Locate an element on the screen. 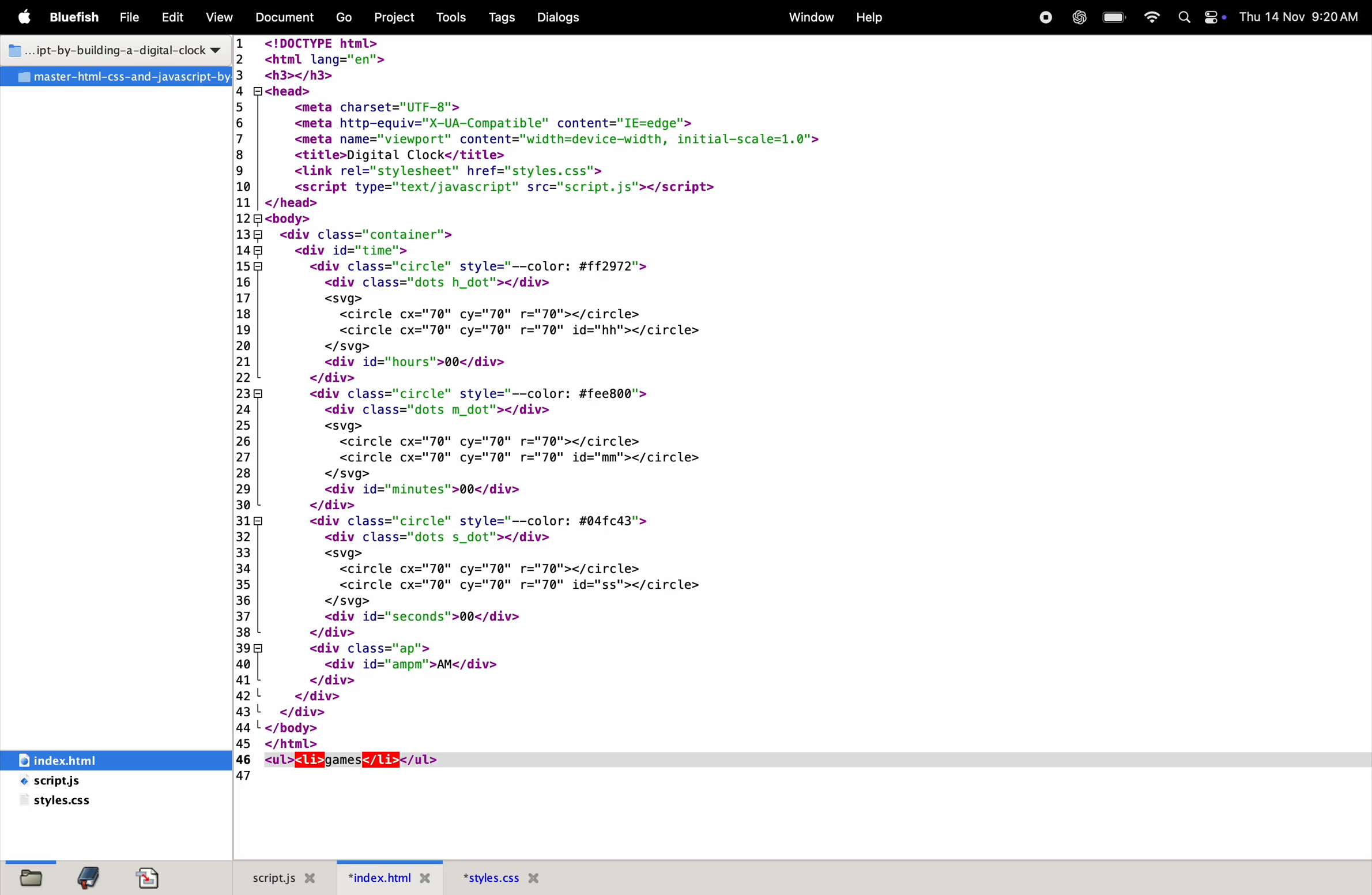  File is located at coordinates (131, 18).